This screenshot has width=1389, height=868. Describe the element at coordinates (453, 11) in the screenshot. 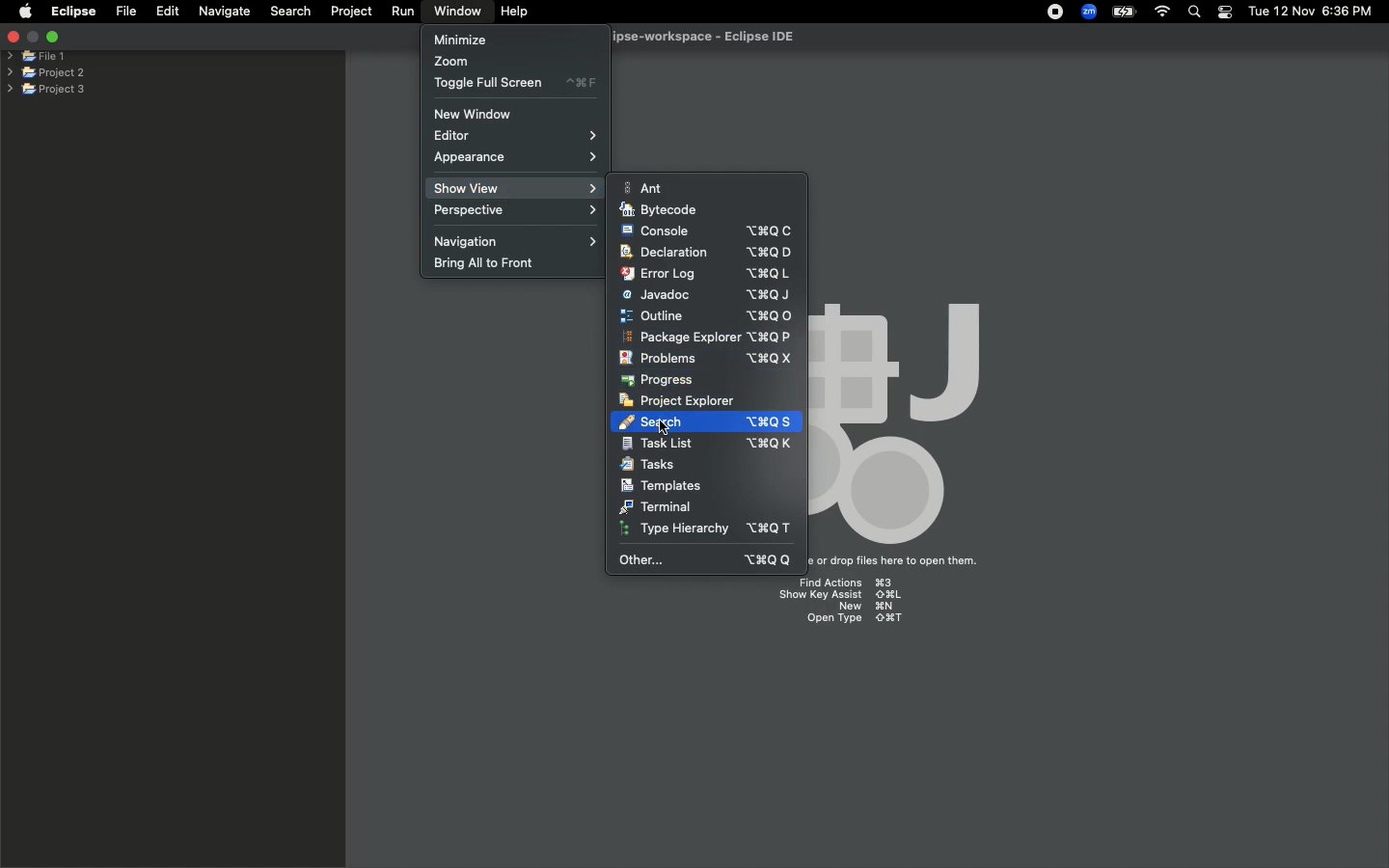

I see `Window` at that location.